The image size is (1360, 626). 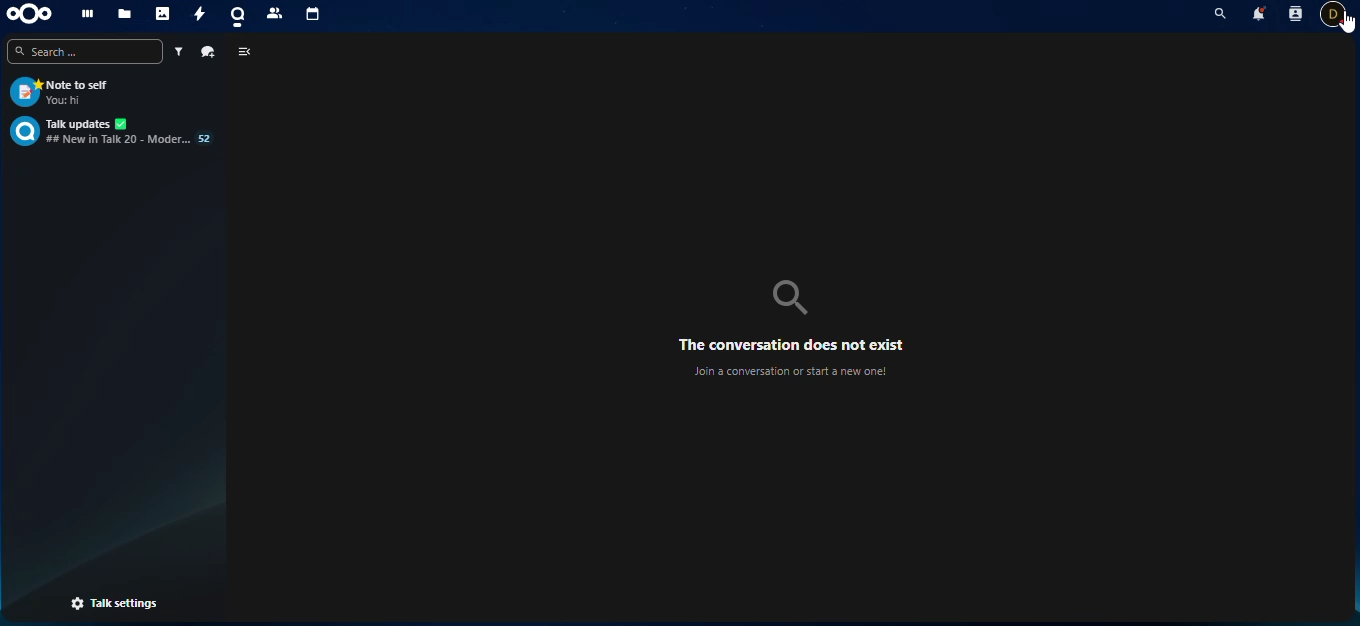 What do you see at coordinates (246, 52) in the screenshot?
I see `view` at bounding box center [246, 52].